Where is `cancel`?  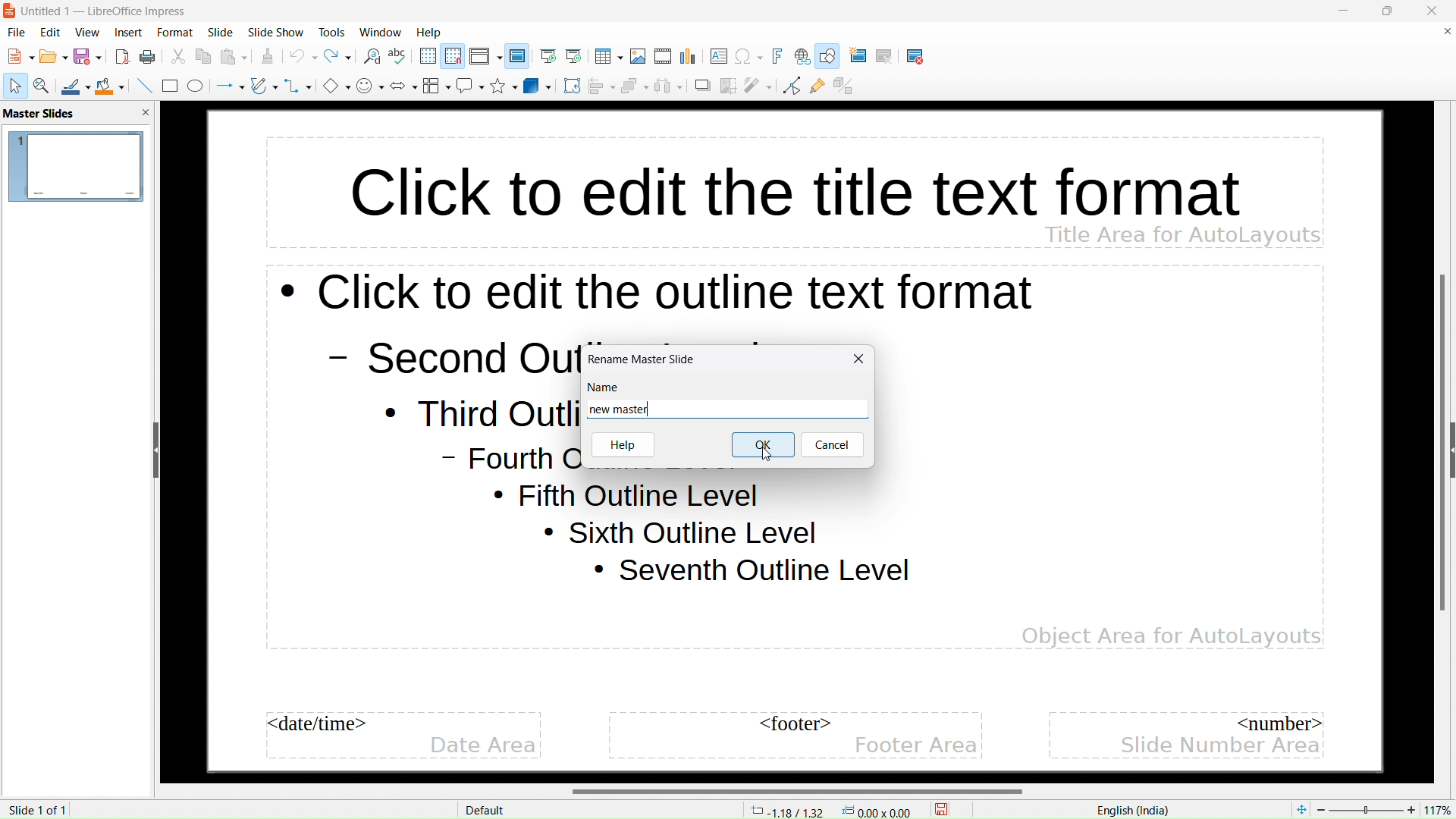
cancel is located at coordinates (833, 444).